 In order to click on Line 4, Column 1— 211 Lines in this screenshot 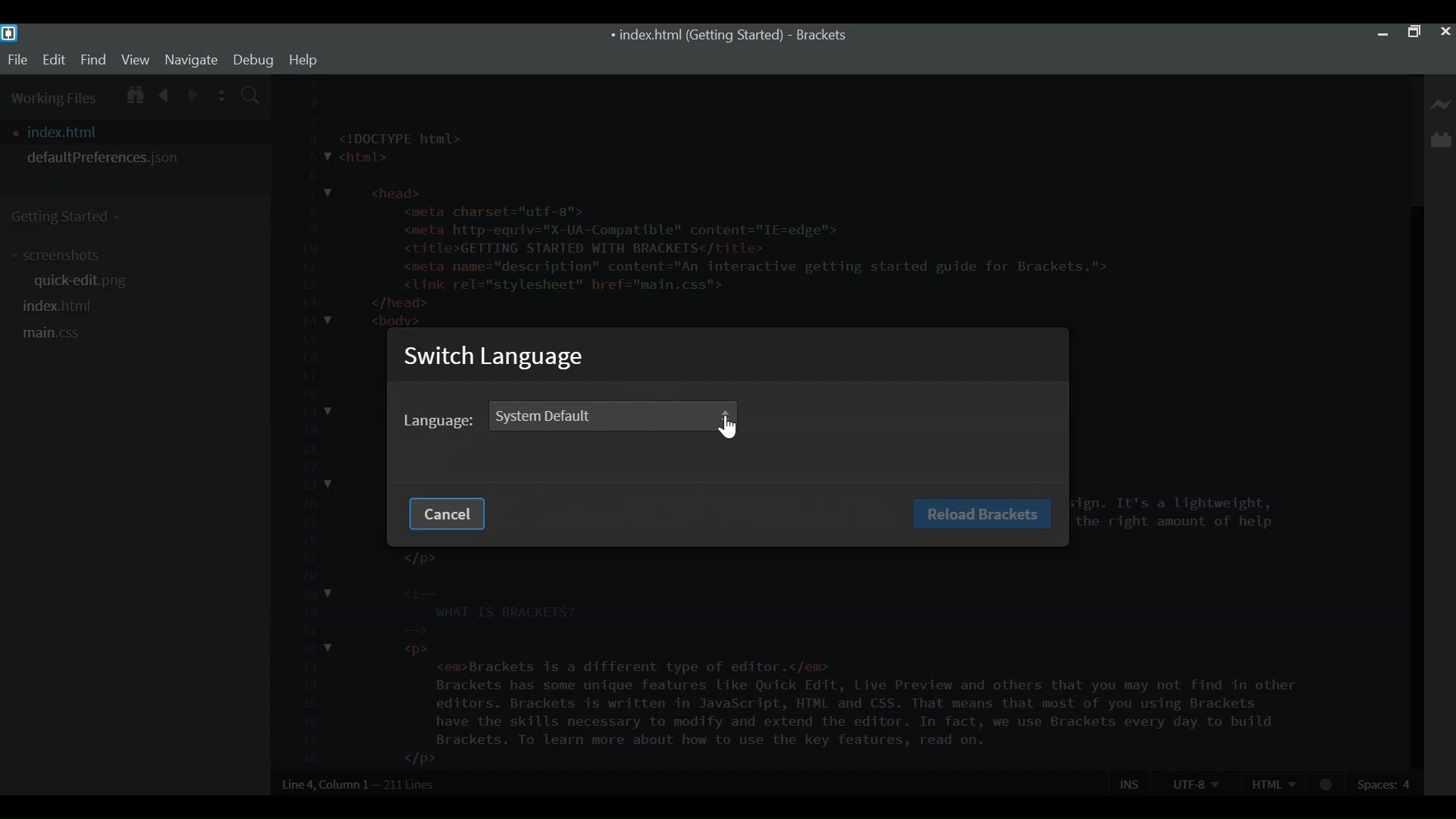, I will do `click(359, 784)`.